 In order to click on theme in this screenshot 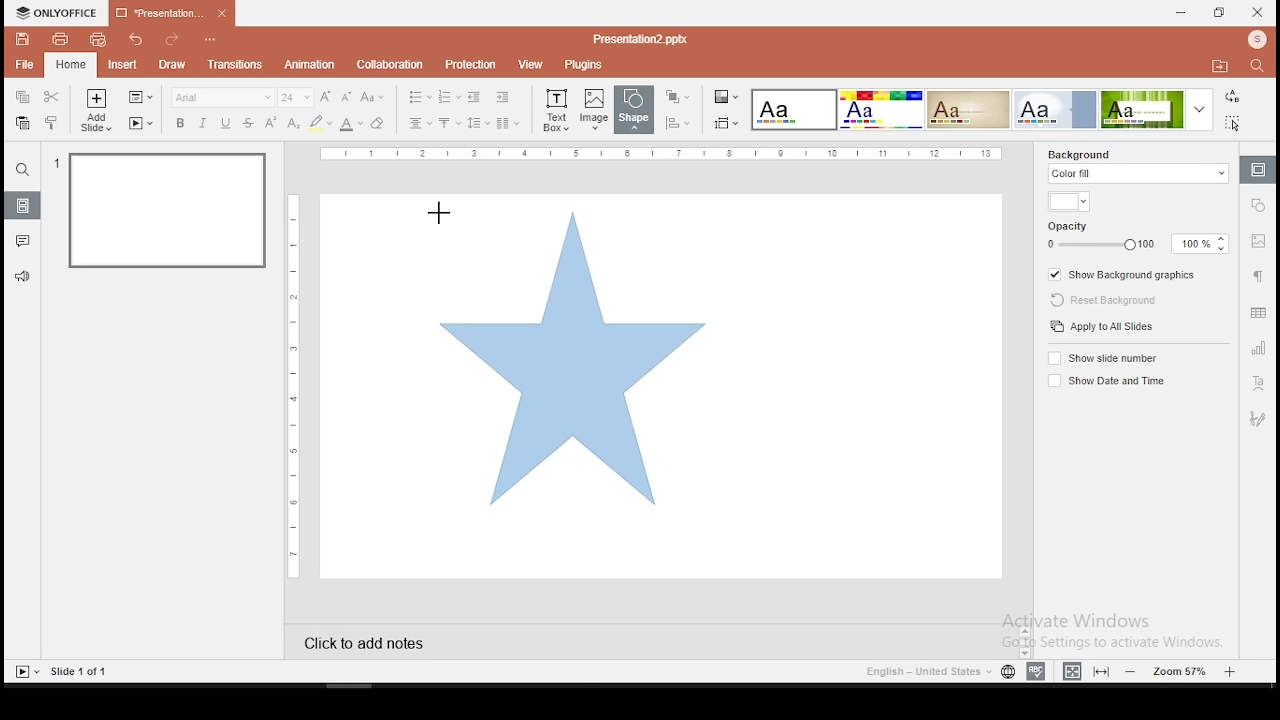, I will do `click(795, 111)`.